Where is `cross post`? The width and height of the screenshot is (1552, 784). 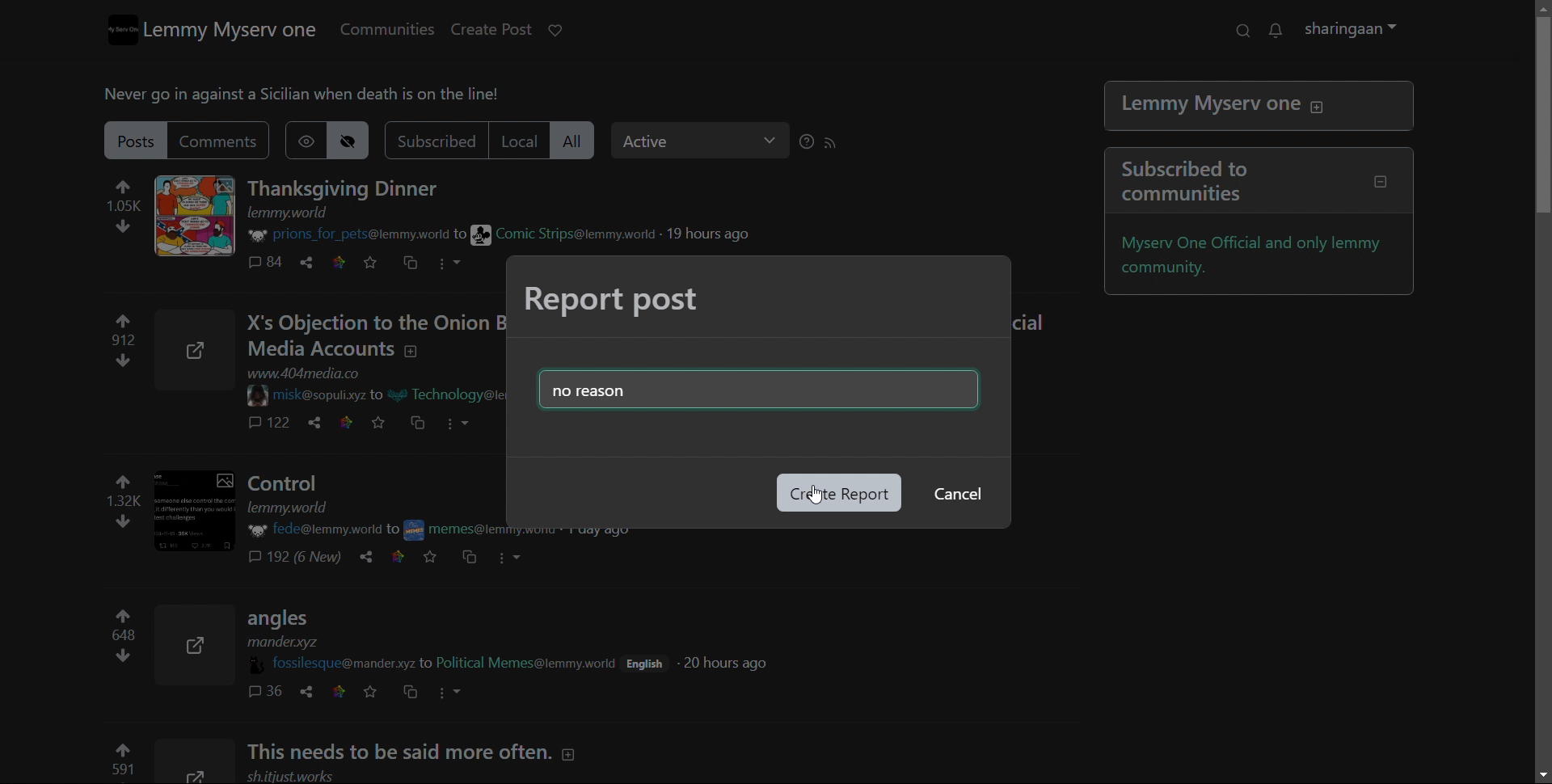
cross post is located at coordinates (420, 693).